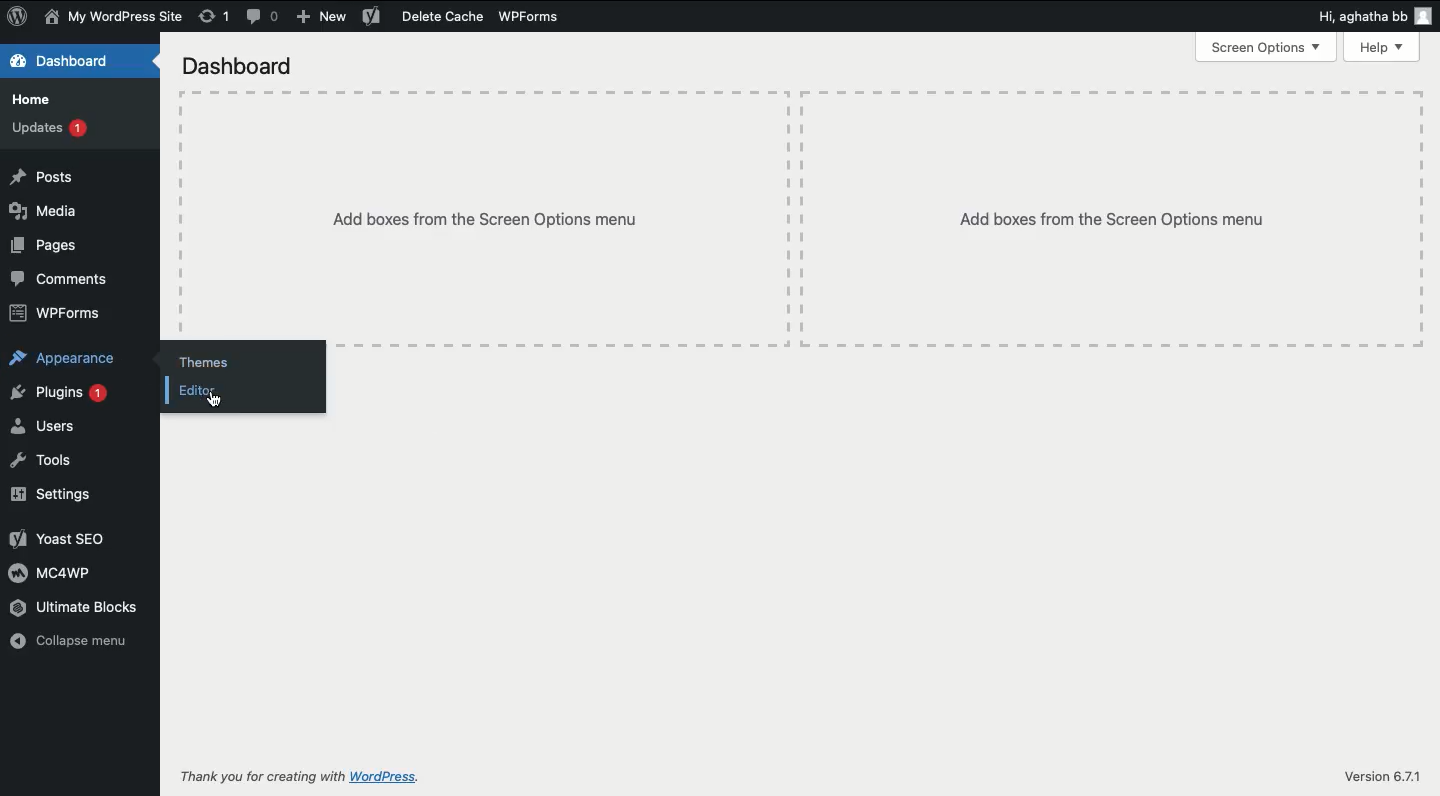  I want to click on Version 6.7.1, so click(1377, 776).